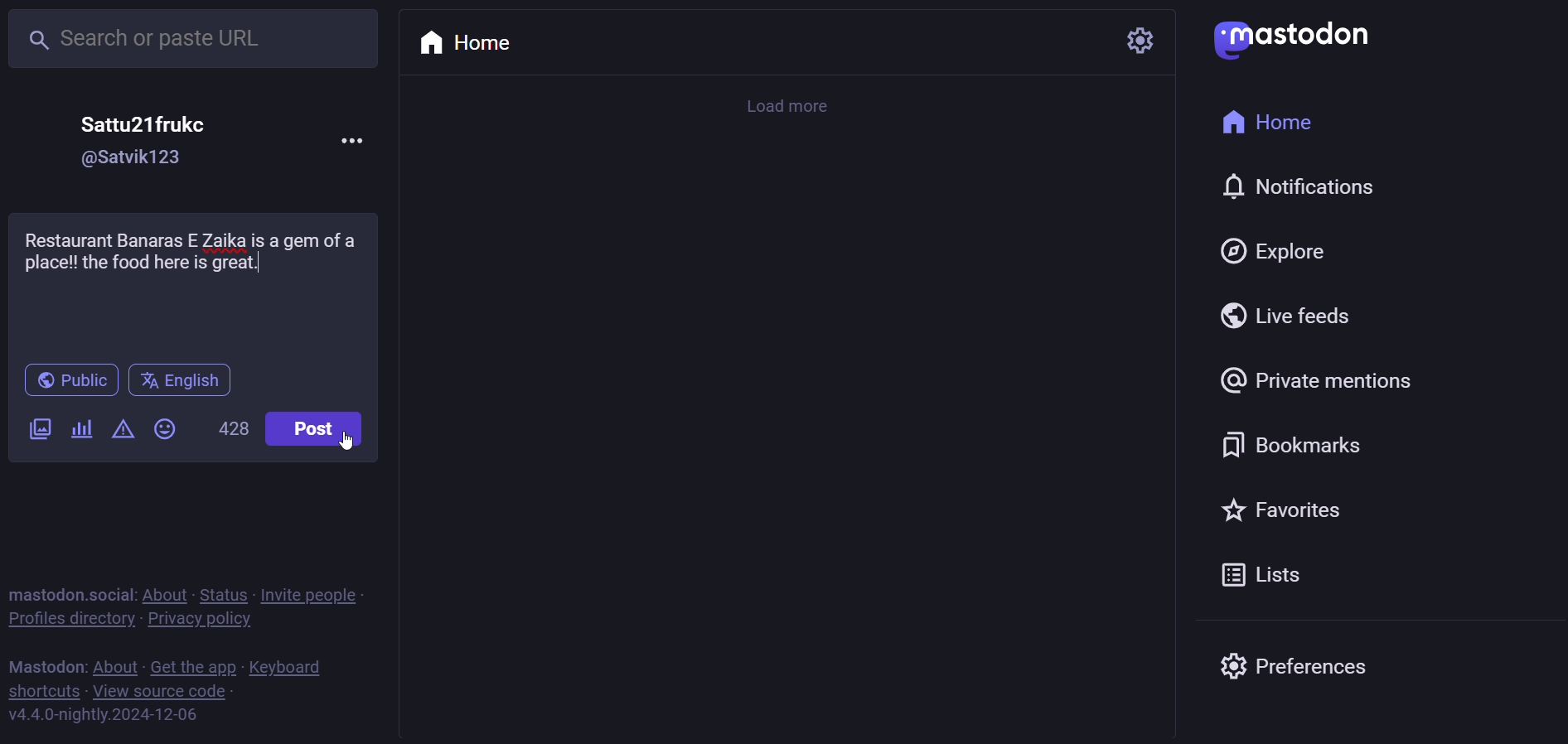  Describe the element at coordinates (1283, 511) in the screenshot. I see `favorite` at that location.